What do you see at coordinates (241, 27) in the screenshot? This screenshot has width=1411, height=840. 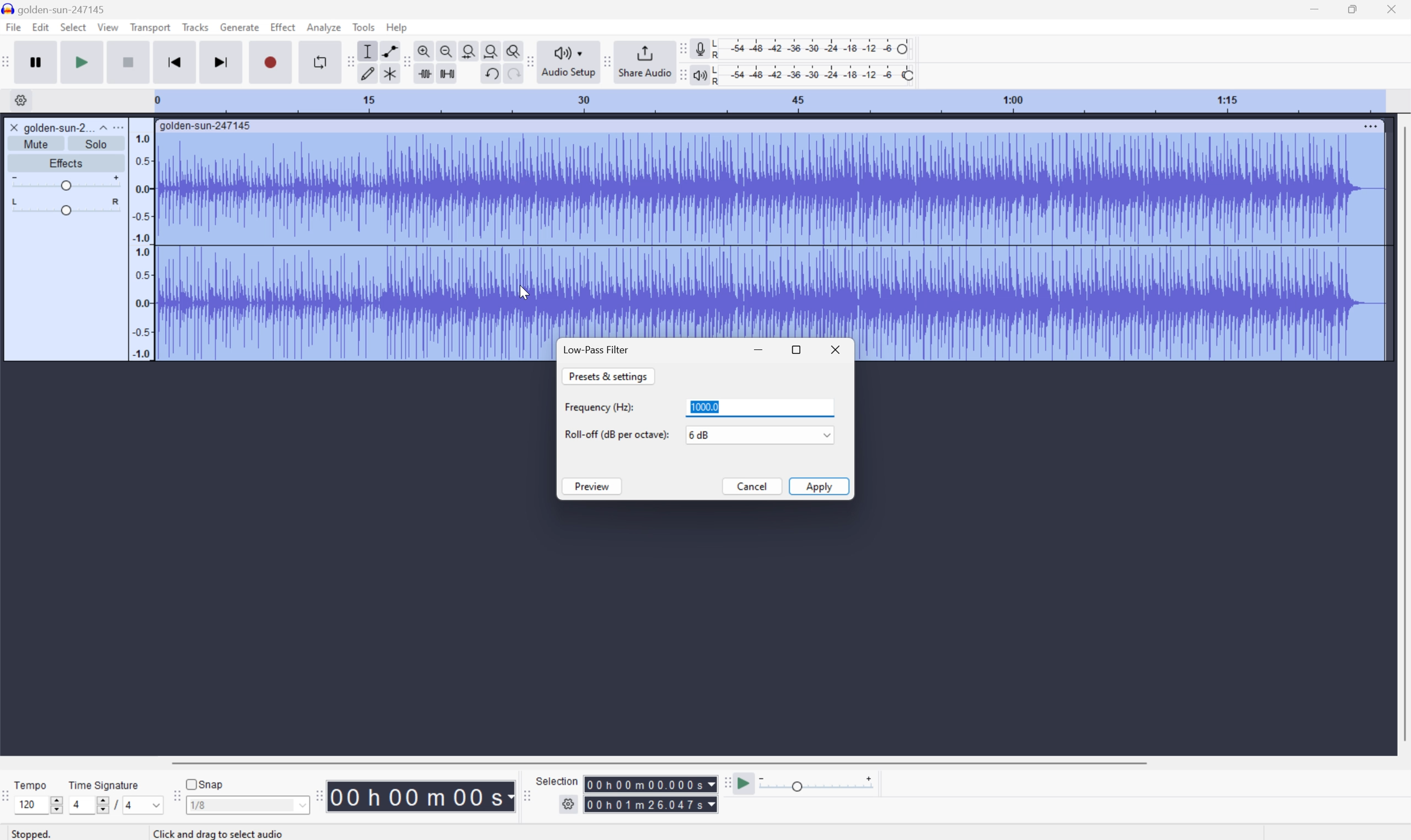 I see `Generate` at bounding box center [241, 27].